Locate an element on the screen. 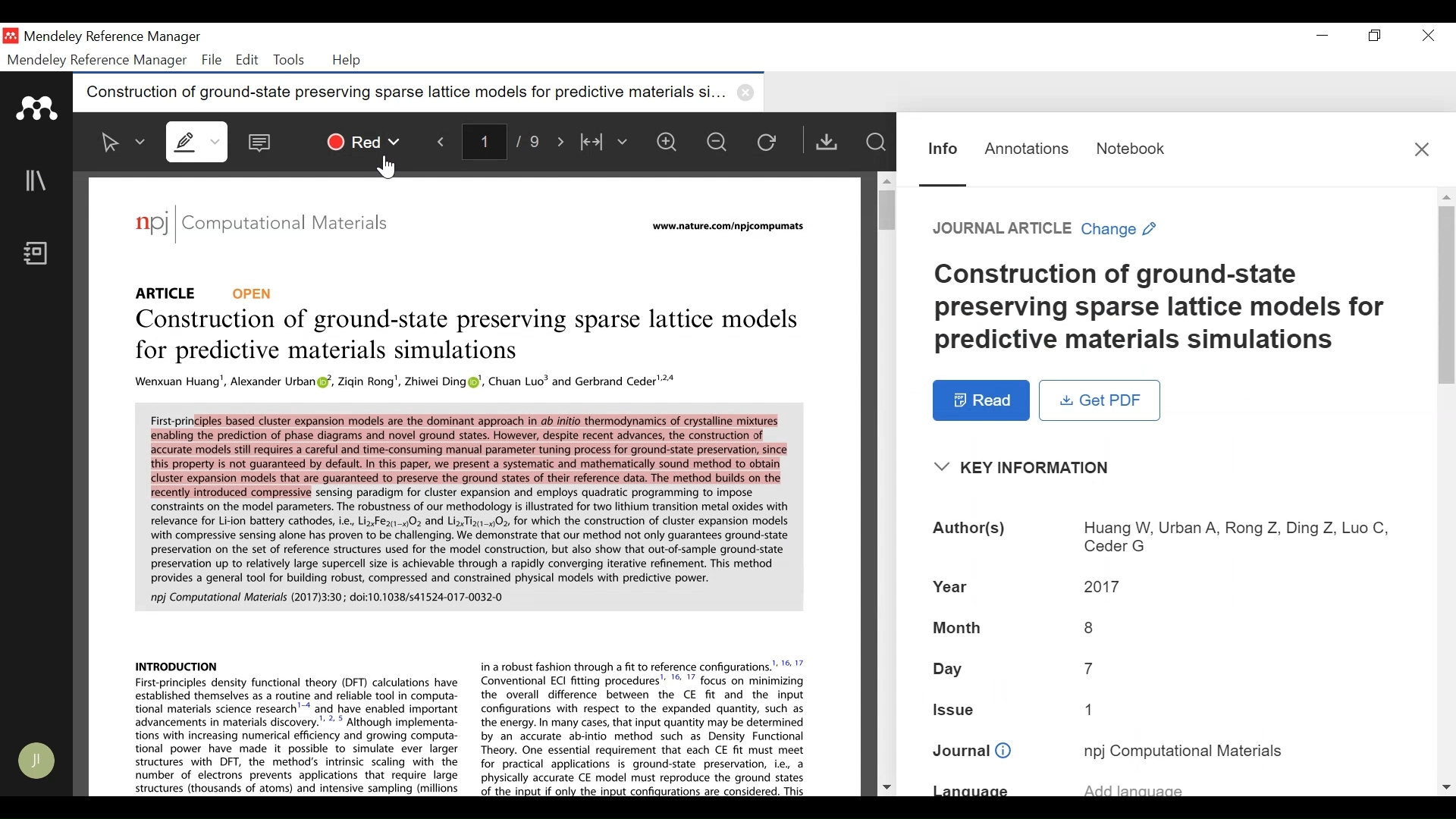  Scroll down is located at coordinates (1445, 786).